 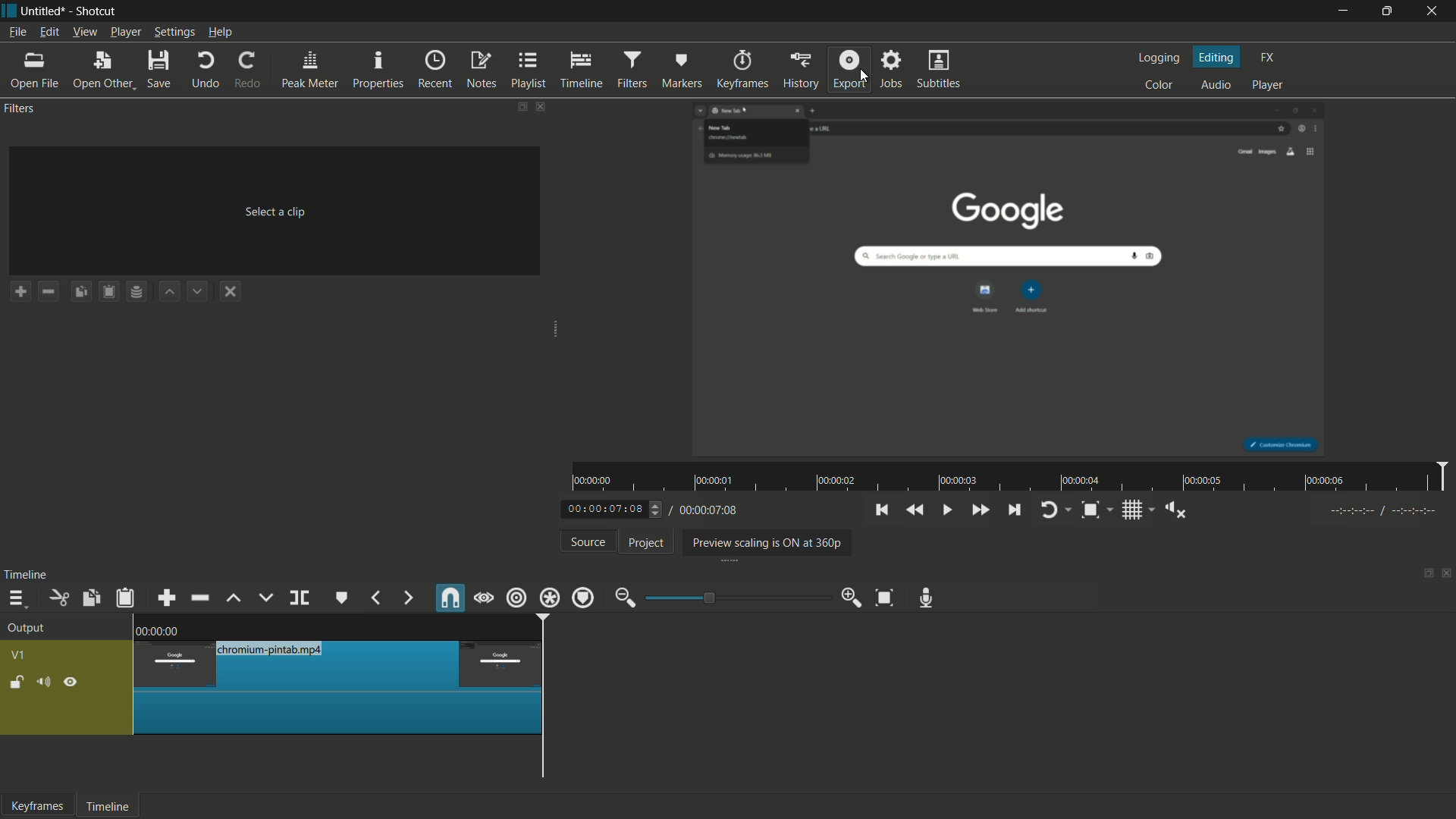 What do you see at coordinates (890, 69) in the screenshot?
I see `jobs` at bounding box center [890, 69].